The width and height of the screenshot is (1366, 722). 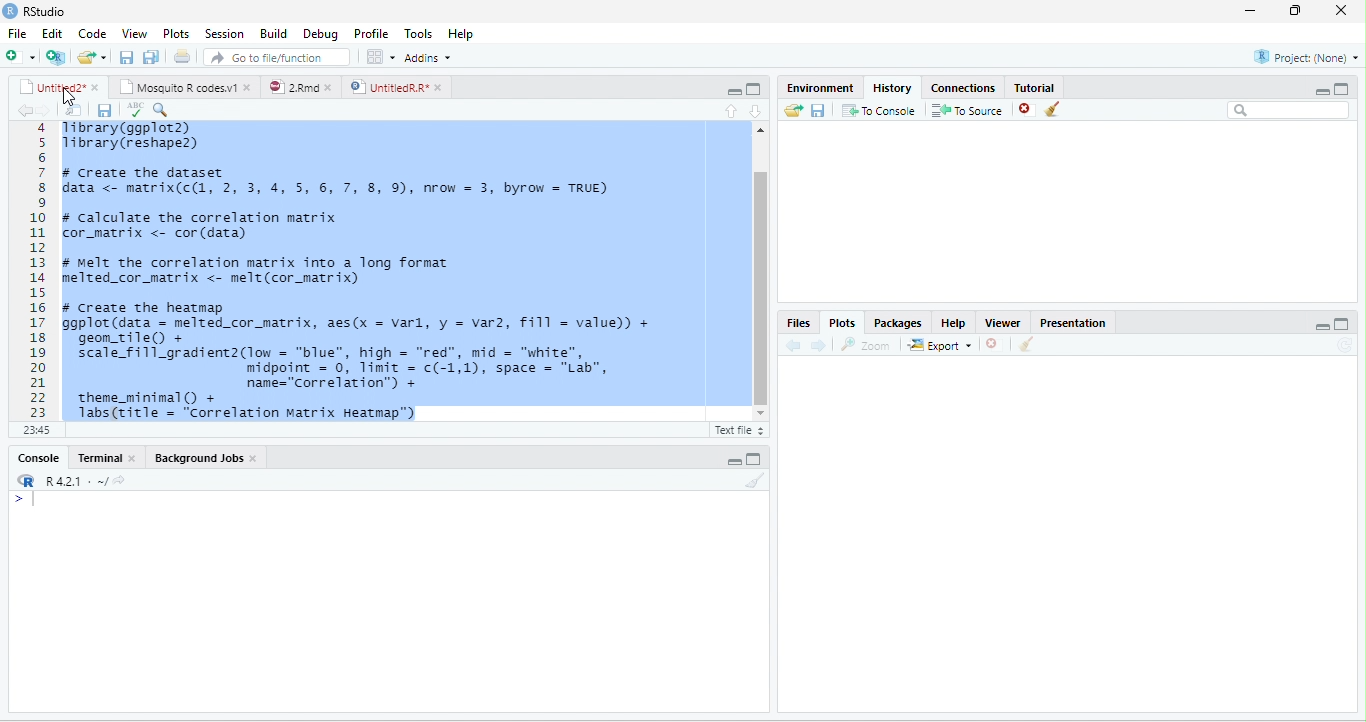 What do you see at coordinates (69, 108) in the screenshot?
I see `files` at bounding box center [69, 108].